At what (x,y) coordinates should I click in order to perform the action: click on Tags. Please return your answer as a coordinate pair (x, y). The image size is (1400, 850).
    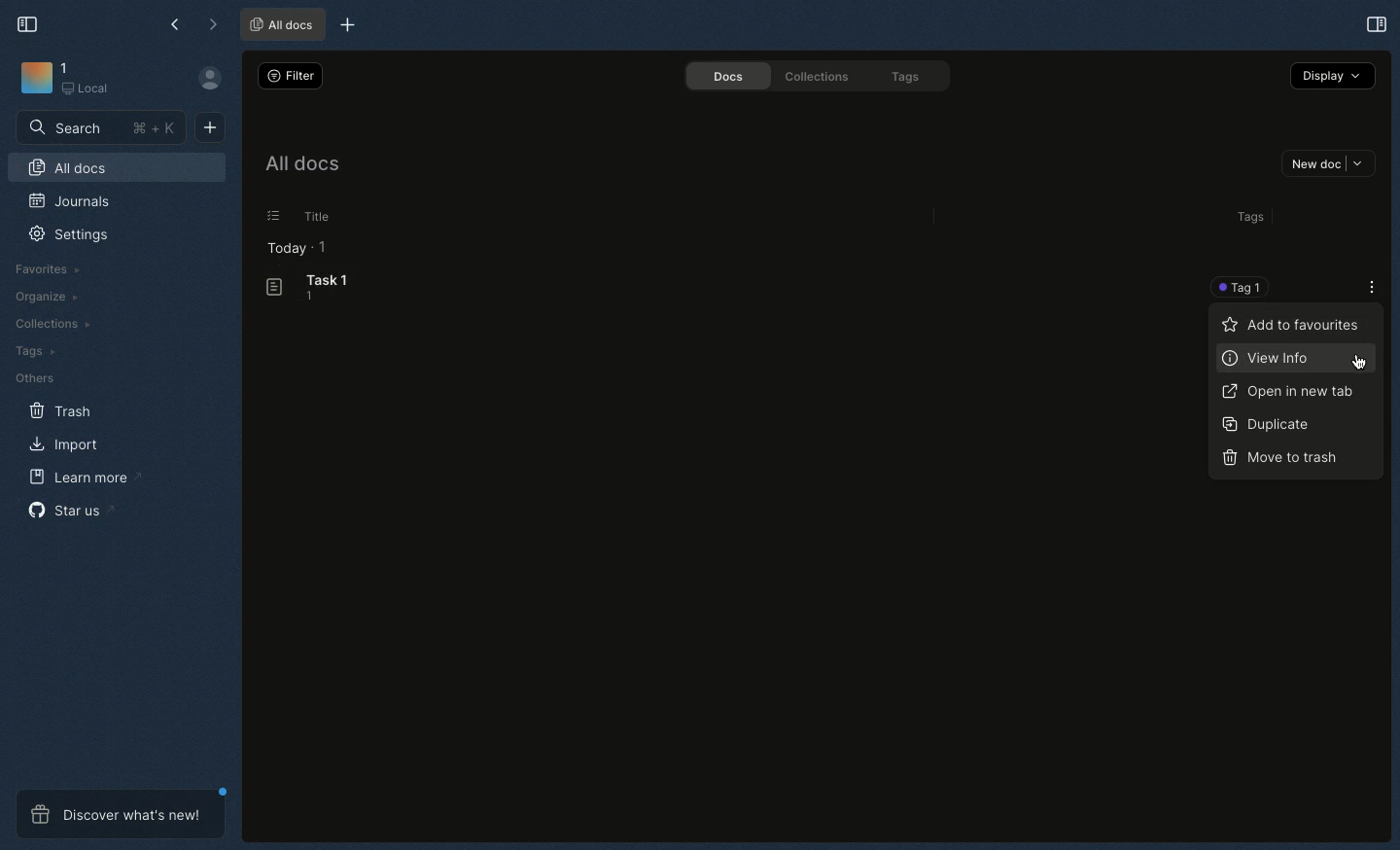
    Looking at the image, I should click on (907, 77).